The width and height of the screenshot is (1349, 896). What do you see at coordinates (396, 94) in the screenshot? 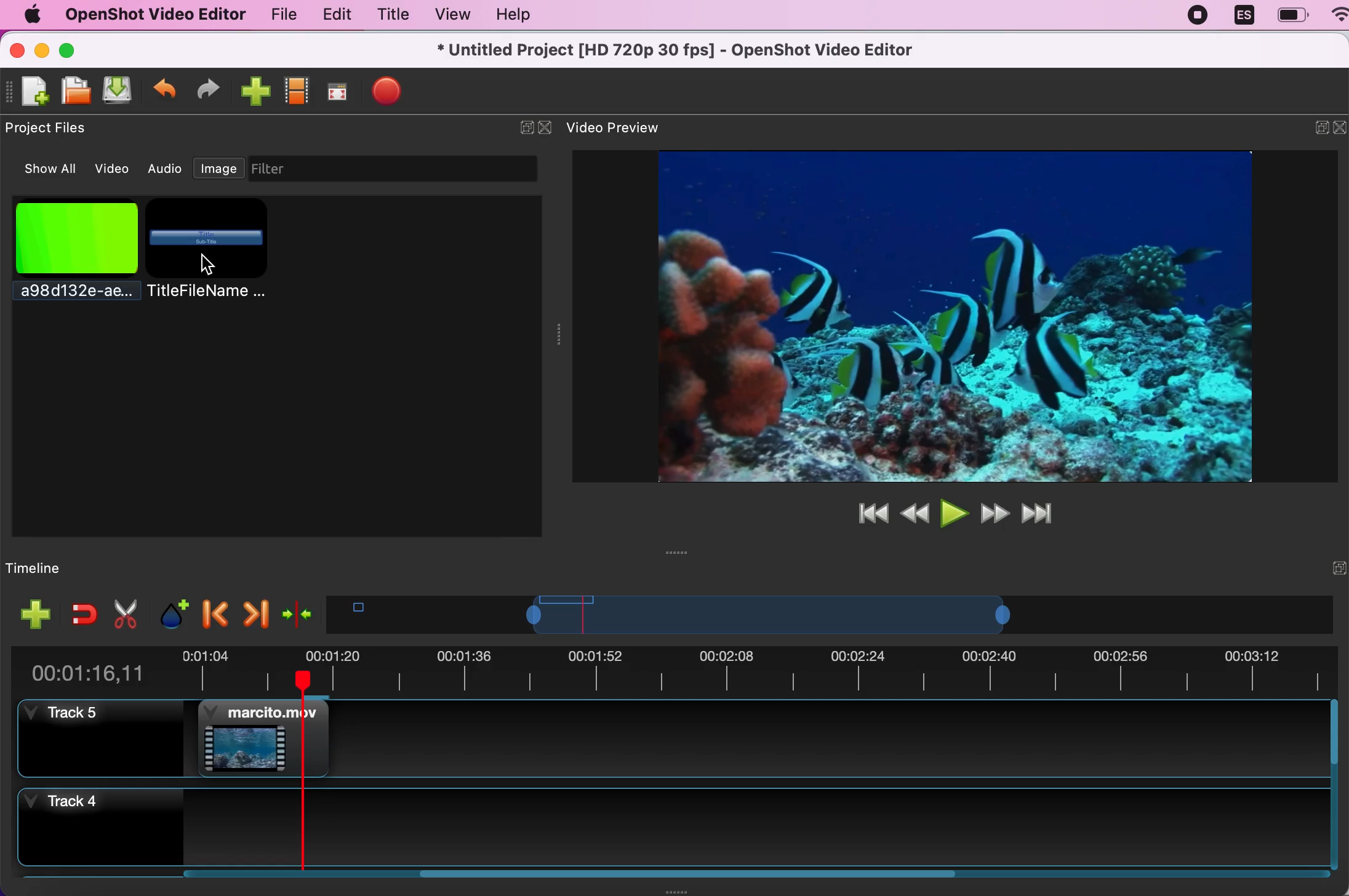
I see `export file` at bounding box center [396, 94].